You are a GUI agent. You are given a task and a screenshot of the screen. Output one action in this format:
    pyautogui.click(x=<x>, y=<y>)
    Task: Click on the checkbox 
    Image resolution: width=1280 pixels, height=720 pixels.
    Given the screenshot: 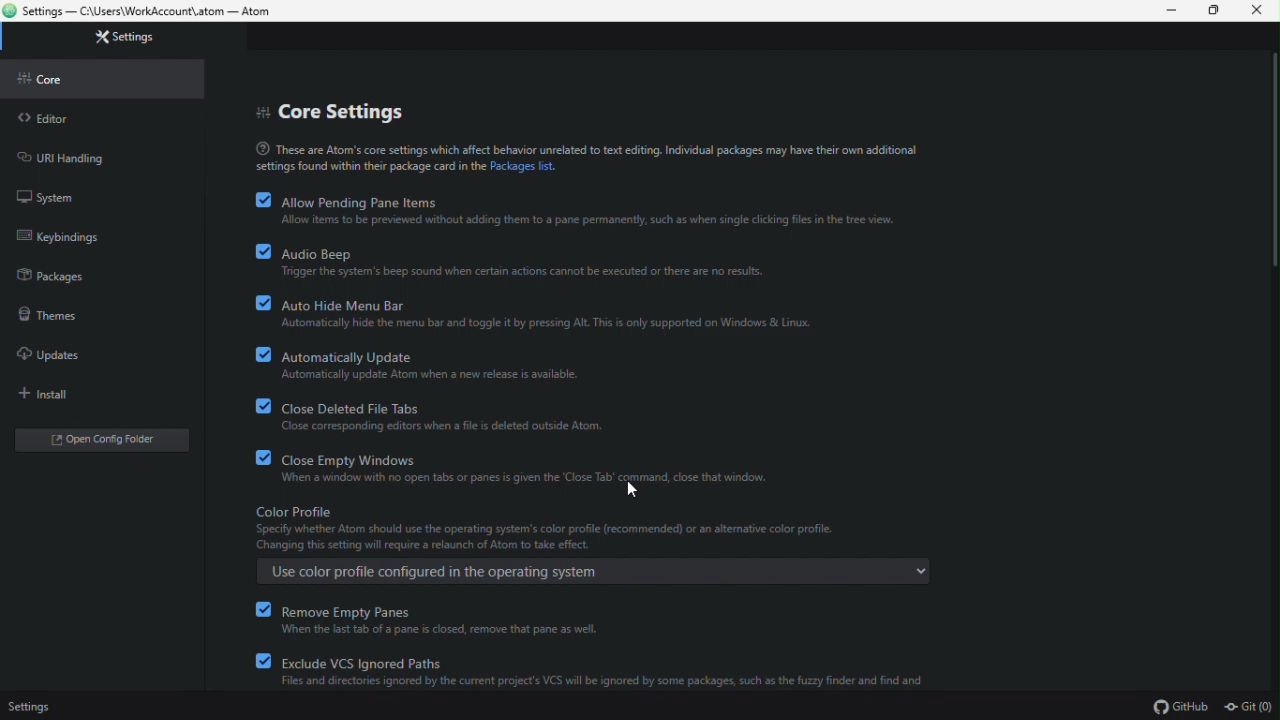 What is the action you would take?
    pyautogui.click(x=263, y=199)
    